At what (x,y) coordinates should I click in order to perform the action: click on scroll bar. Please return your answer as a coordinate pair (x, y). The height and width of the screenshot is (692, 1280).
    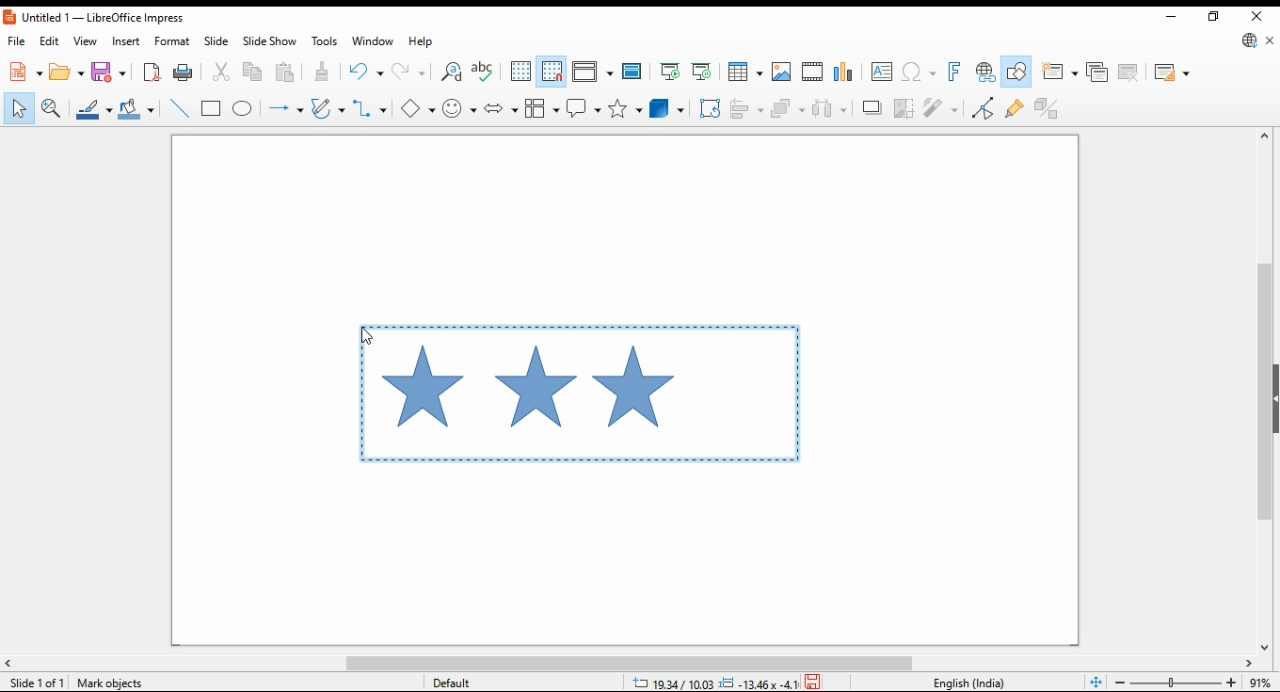
    Looking at the image, I should click on (640, 662).